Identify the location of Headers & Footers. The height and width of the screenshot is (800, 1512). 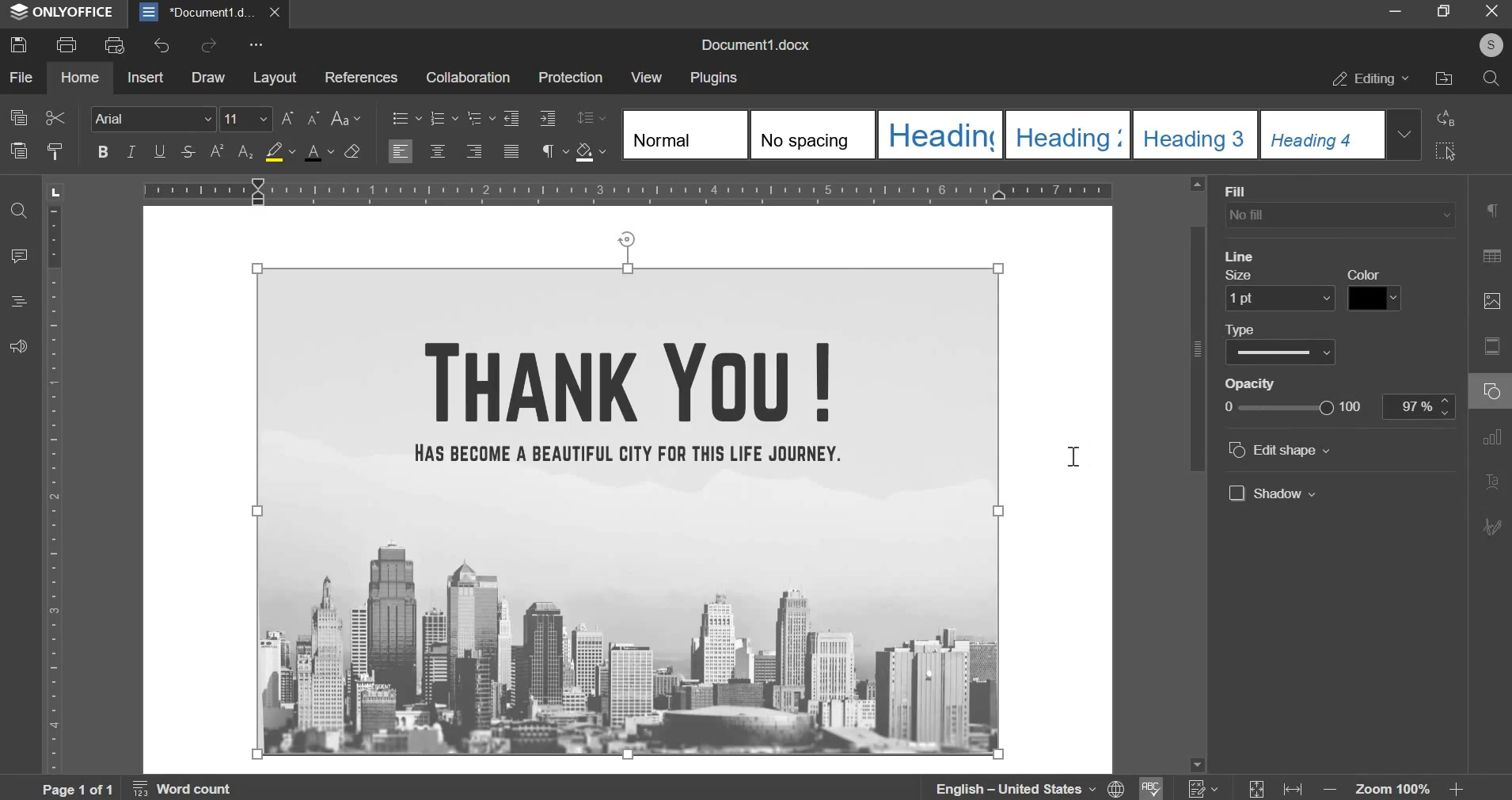
(1495, 348).